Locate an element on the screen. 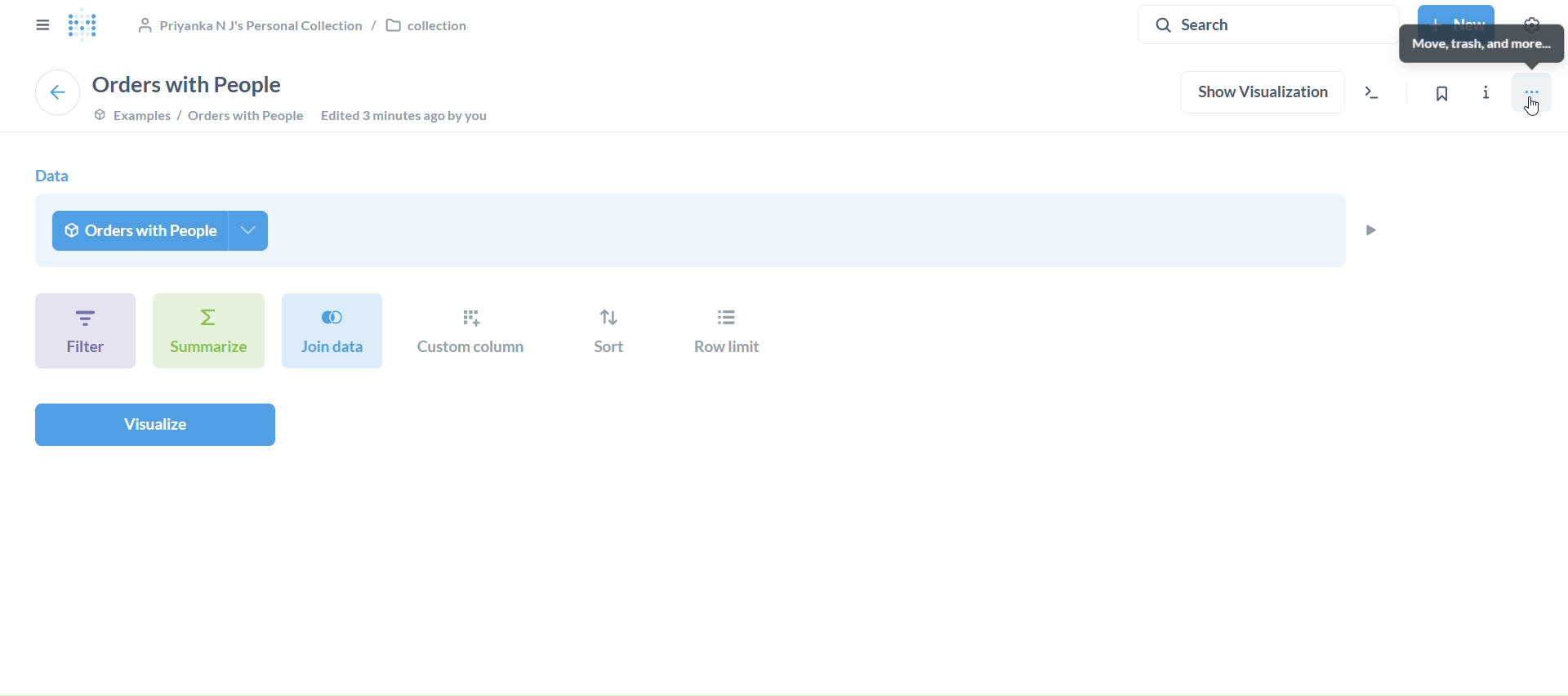 This screenshot has width=1568, height=696. visualize is located at coordinates (154, 426).